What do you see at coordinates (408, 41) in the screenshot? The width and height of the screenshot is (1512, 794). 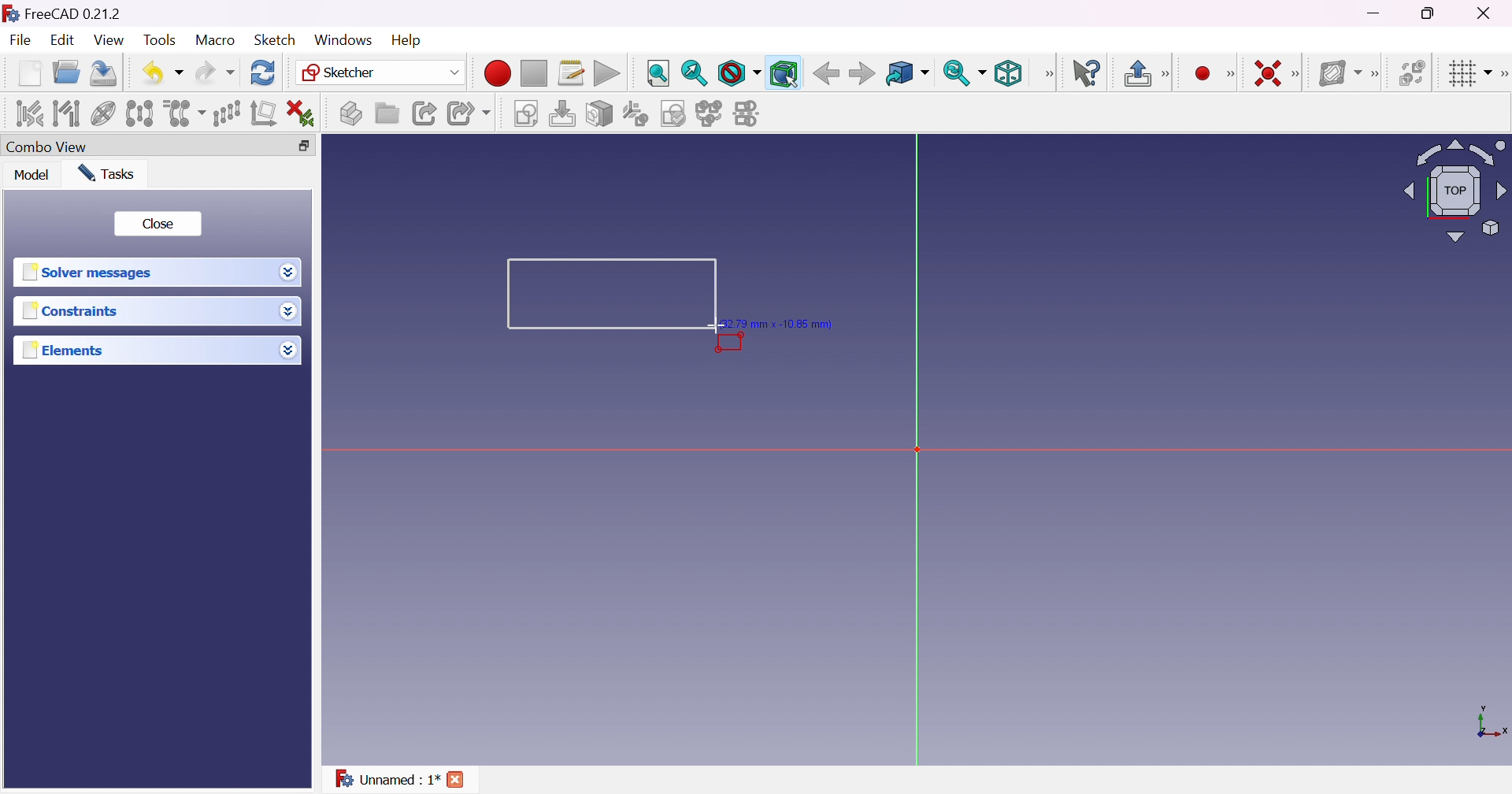 I see `Help` at bounding box center [408, 41].